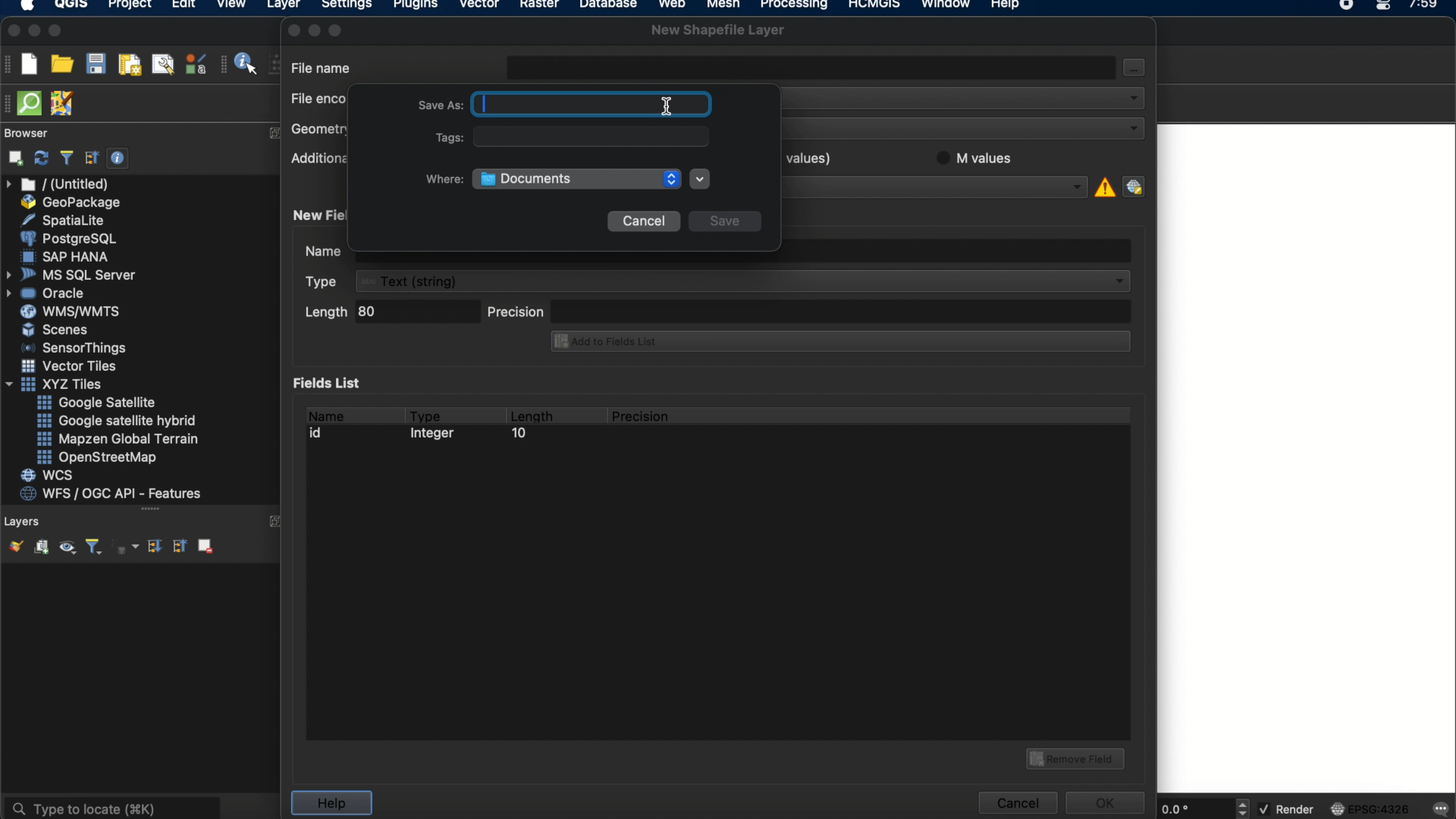 The width and height of the screenshot is (1456, 819). What do you see at coordinates (95, 64) in the screenshot?
I see `save project` at bounding box center [95, 64].